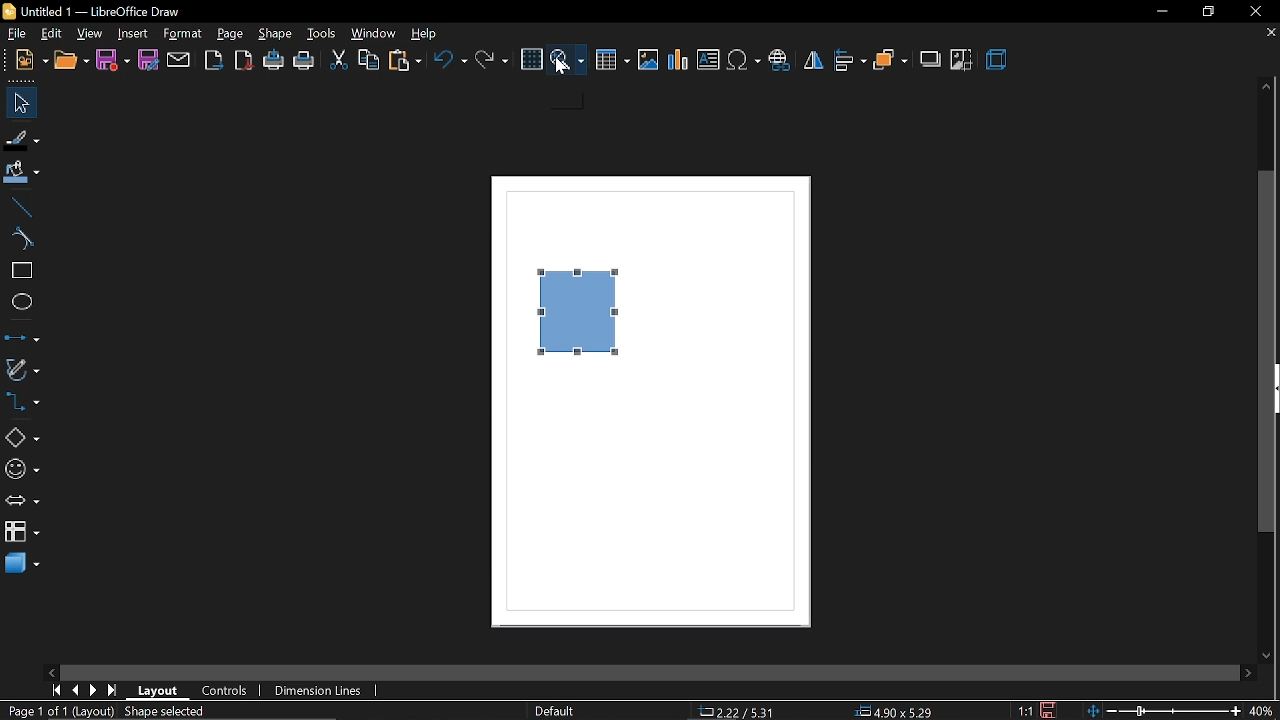 This screenshot has width=1280, height=720. Describe the element at coordinates (492, 60) in the screenshot. I see `redo` at that location.